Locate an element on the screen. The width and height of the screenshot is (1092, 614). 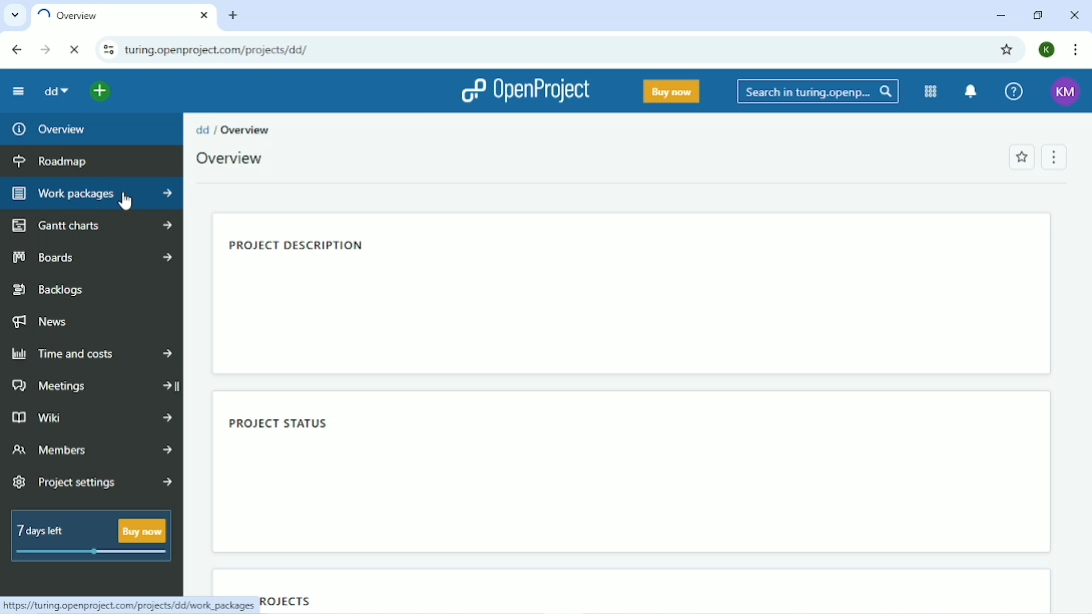
Wiki is located at coordinates (93, 417).